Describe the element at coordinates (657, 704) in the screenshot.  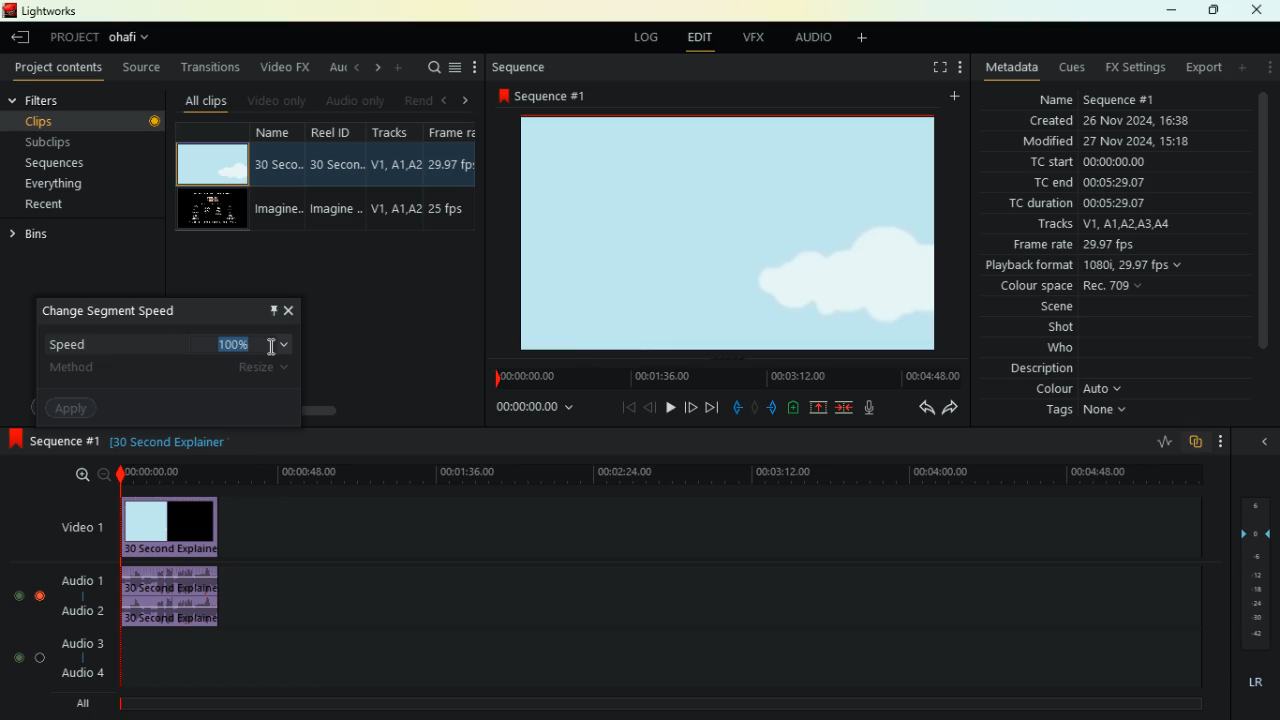
I see `timeline` at that location.